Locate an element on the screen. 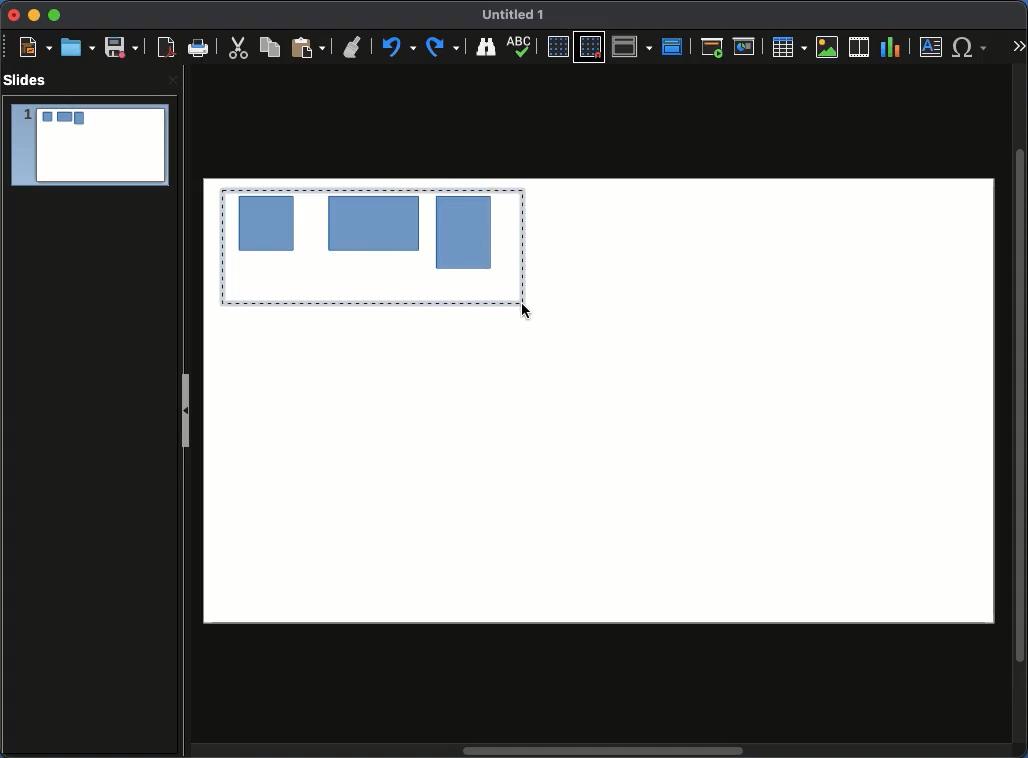 The image size is (1028, 758). Copy is located at coordinates (273, 47).